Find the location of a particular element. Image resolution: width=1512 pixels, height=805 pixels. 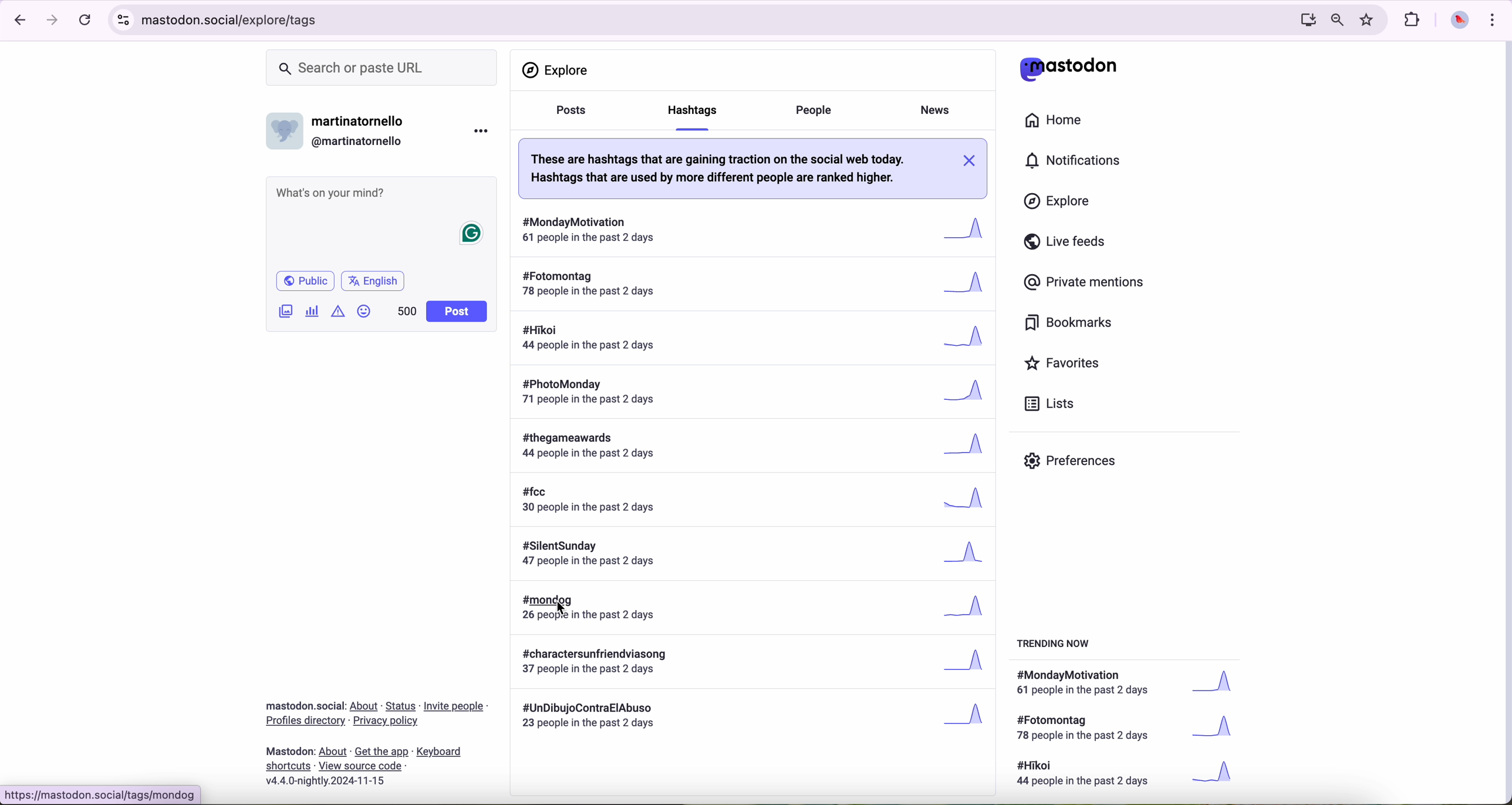

notifications is located at coordinates (1077, 161).